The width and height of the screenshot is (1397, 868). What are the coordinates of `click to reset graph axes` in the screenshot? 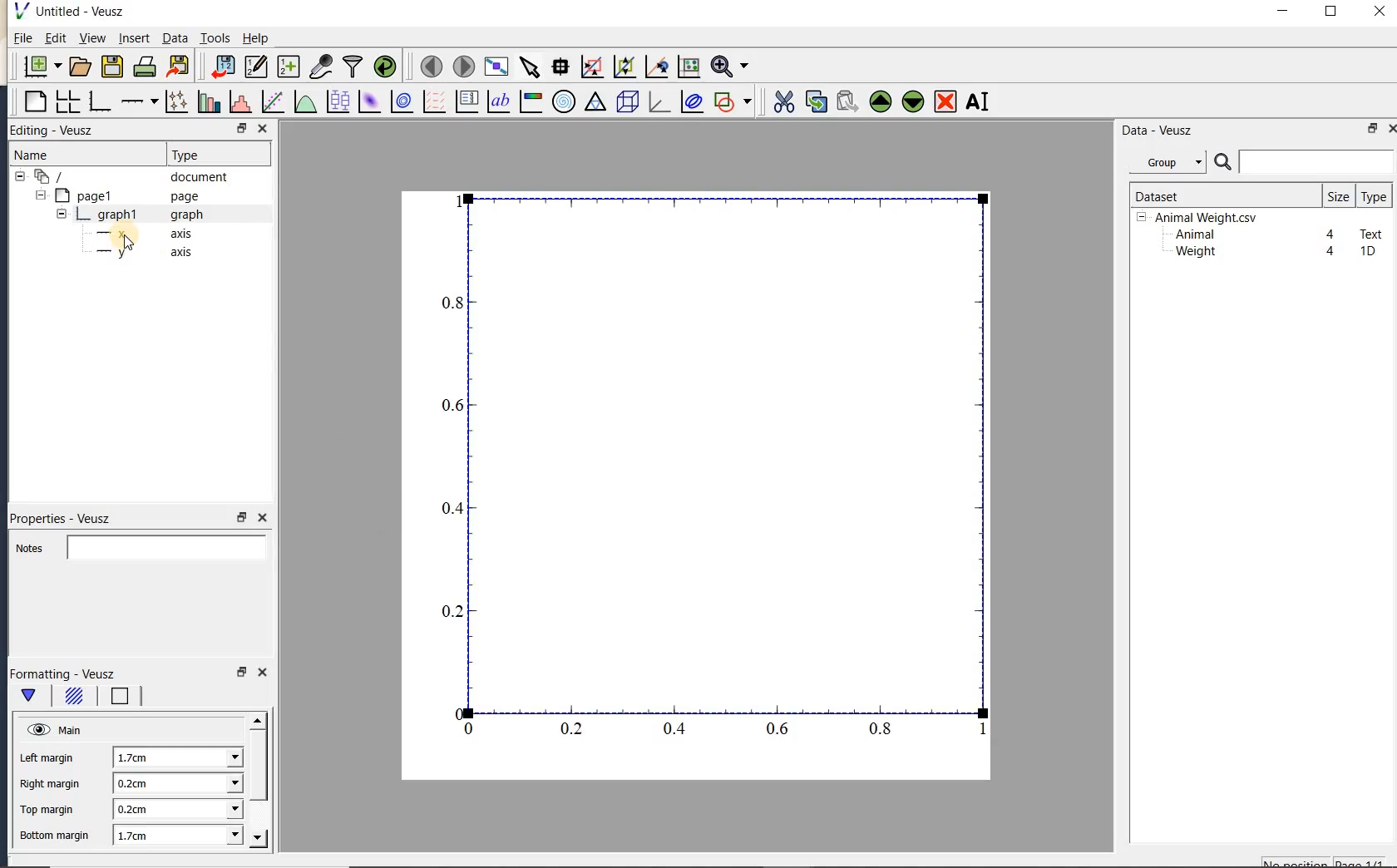 It's located at (689, 67).